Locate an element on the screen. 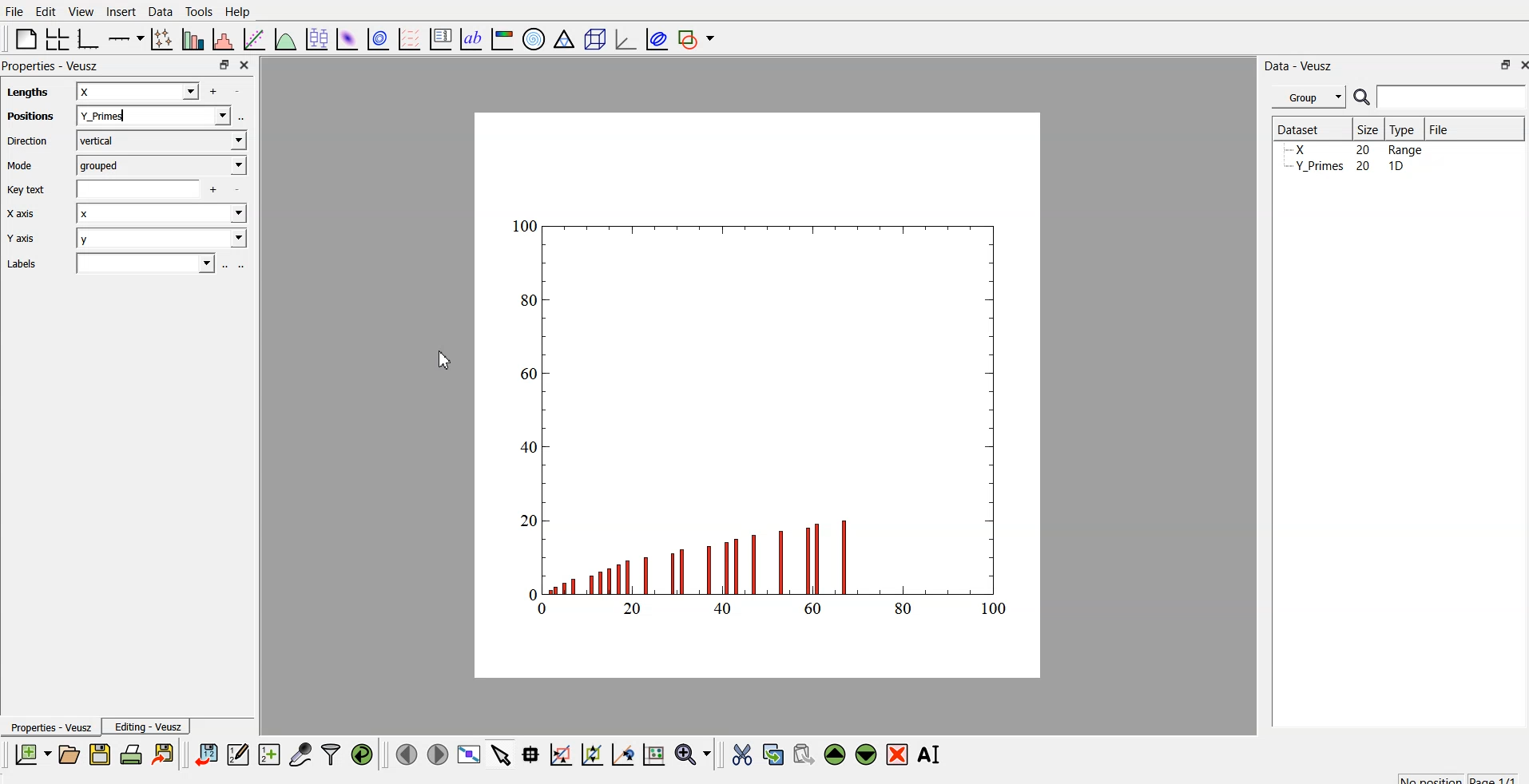 The width and height of the screenshot is (1529, 784). move to previous page is located at coordinates (404, 754).